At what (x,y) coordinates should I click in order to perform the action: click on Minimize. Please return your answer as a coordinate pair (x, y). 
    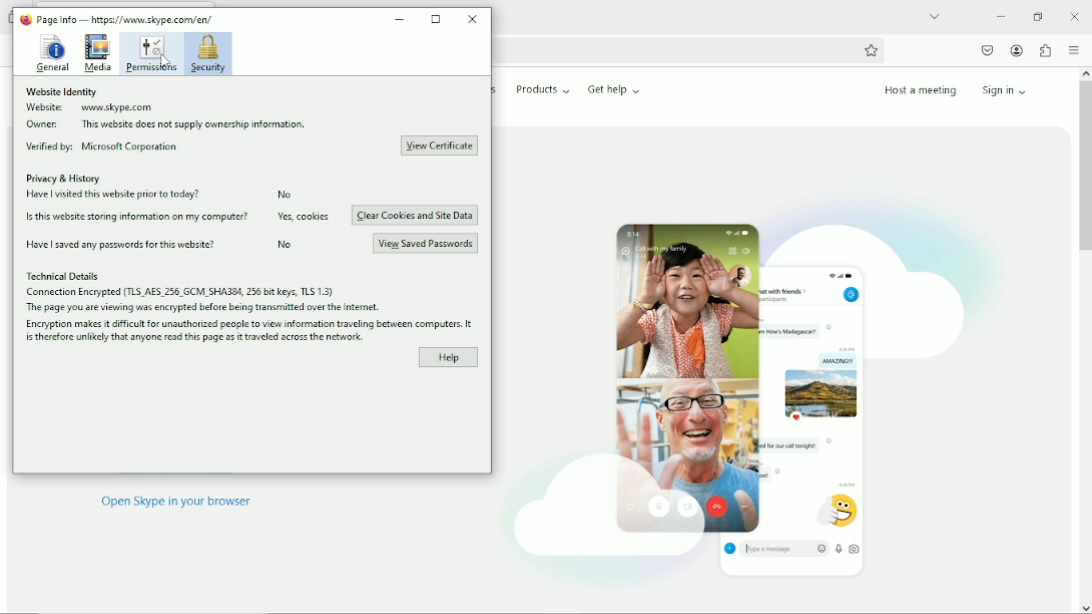
    Looking at the image, I should click on (1000, 16).